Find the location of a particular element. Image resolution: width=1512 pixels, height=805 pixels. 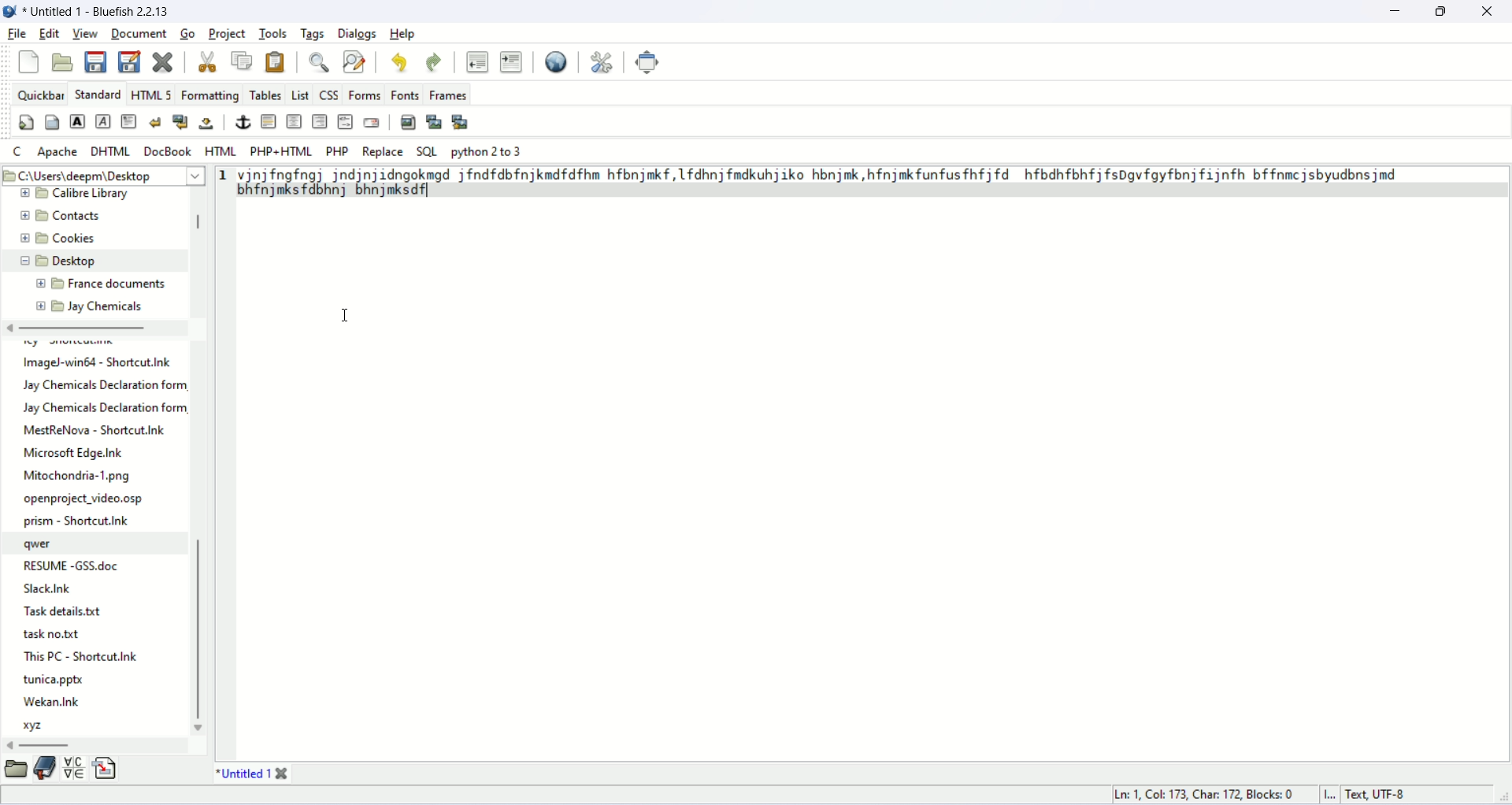

save current file is located at coordinates (96, 63).